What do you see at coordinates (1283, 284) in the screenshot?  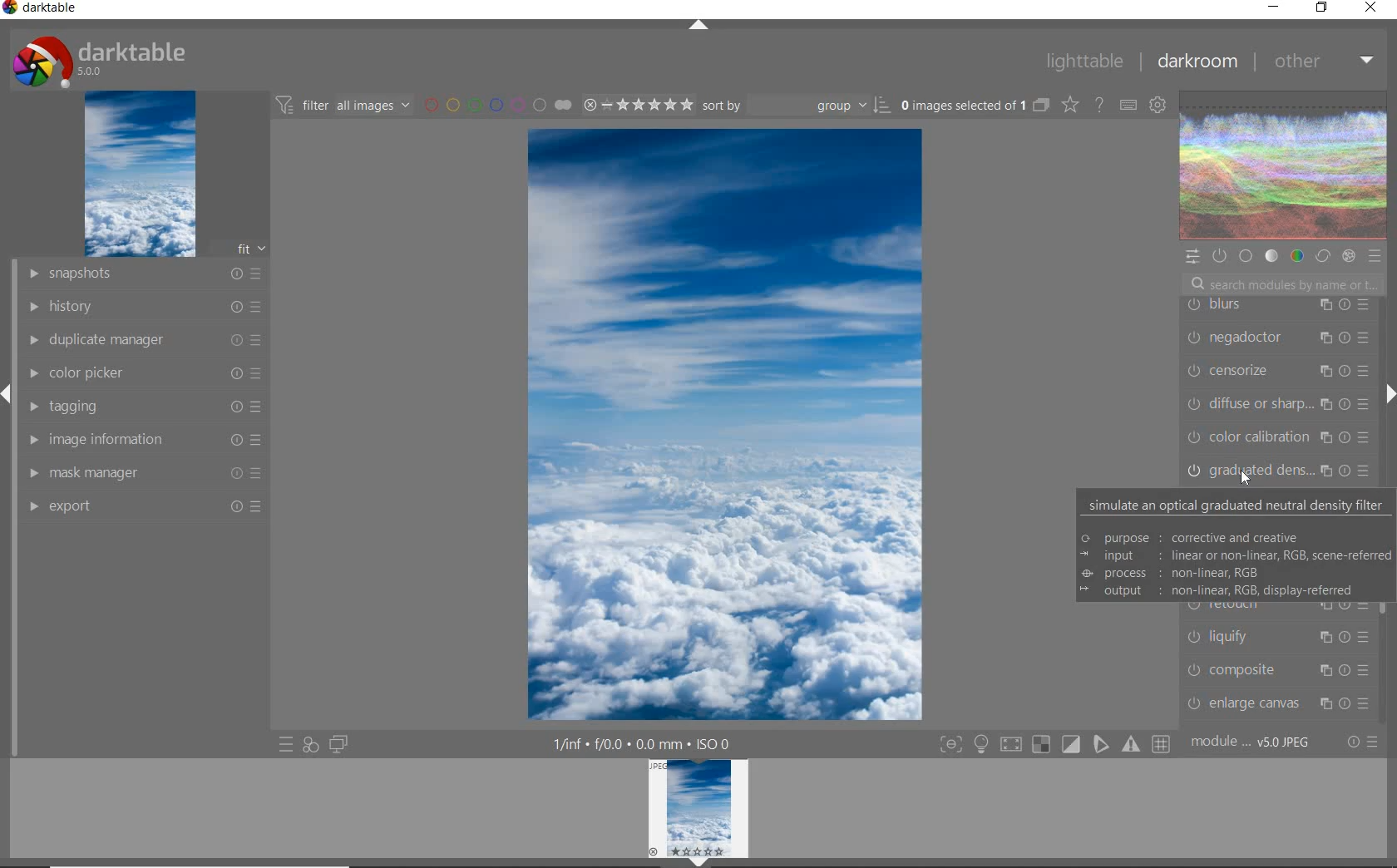 I see `SEARCH MODULES` at bounding box center [1283, 284].